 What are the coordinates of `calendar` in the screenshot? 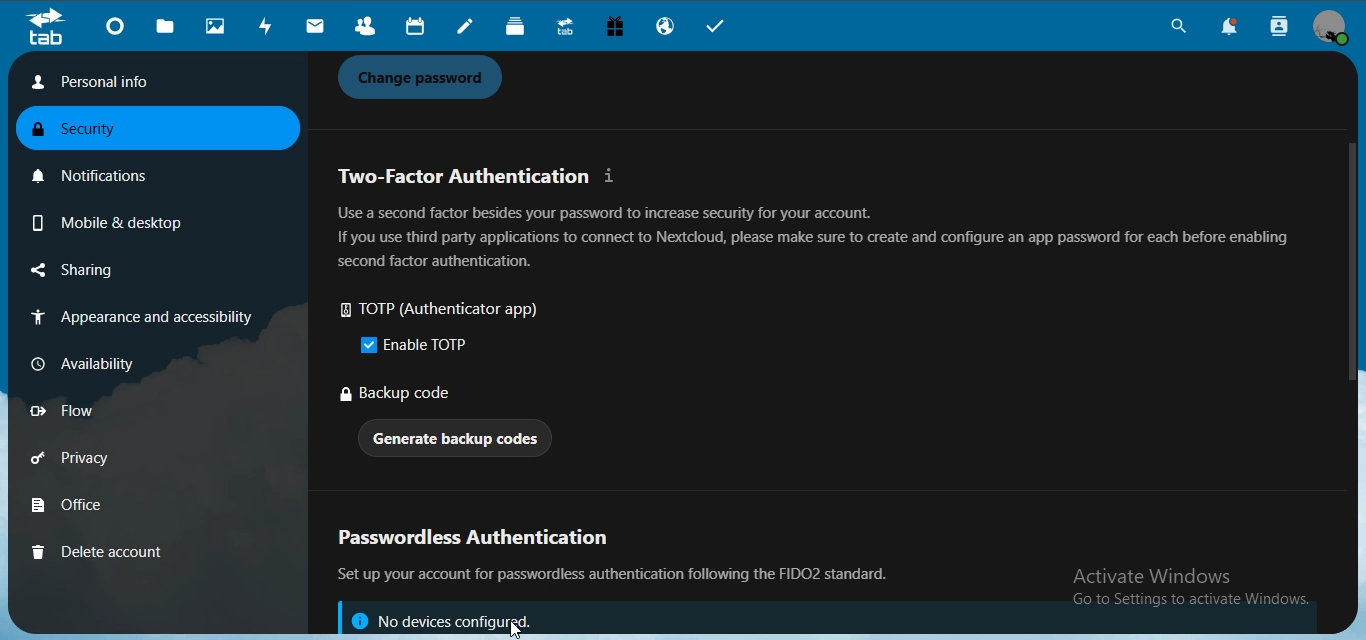 It's located at (413, 27).